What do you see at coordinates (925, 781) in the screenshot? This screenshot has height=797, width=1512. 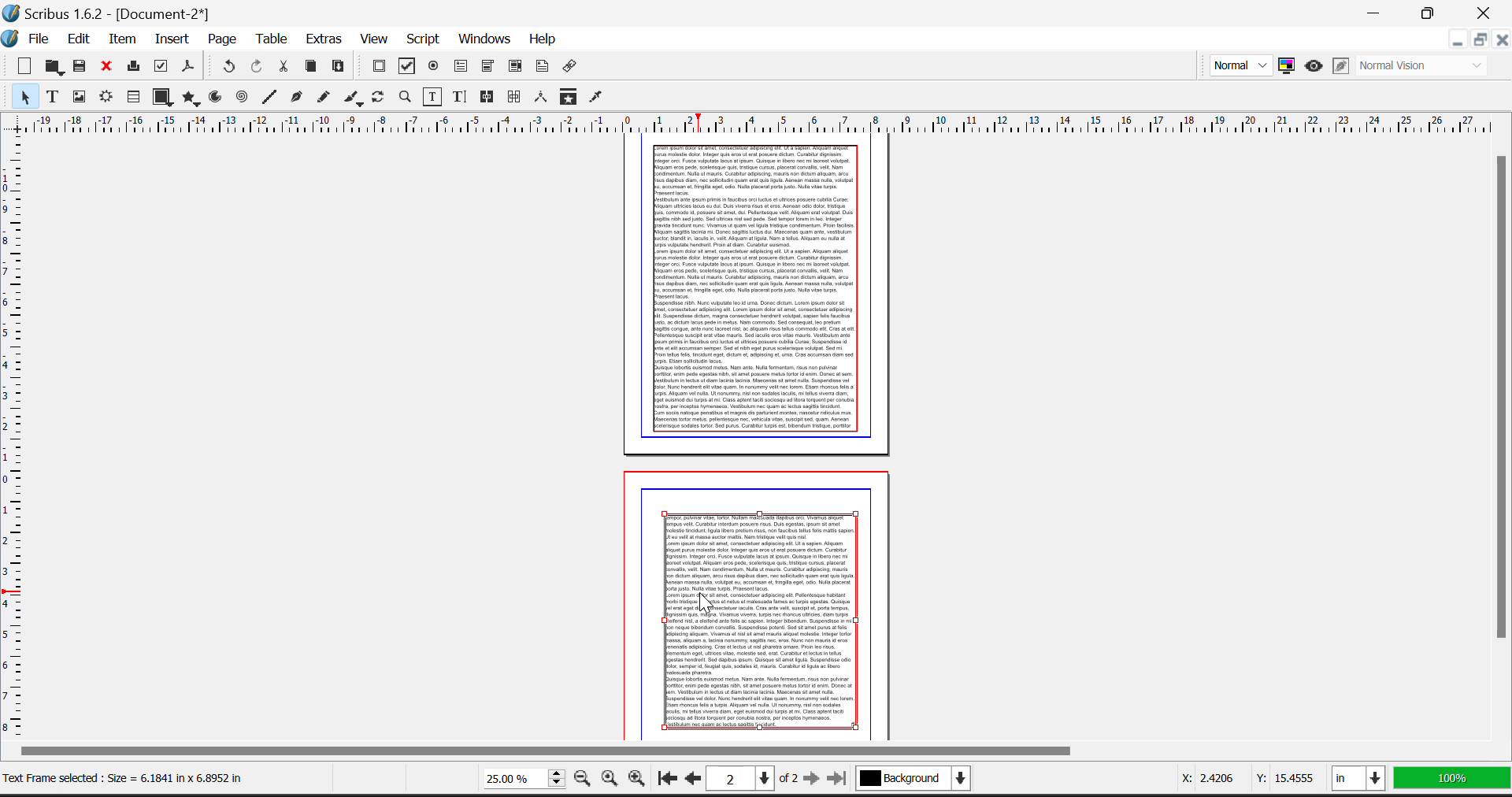 I see `Background` at bounding box center [925, 781].